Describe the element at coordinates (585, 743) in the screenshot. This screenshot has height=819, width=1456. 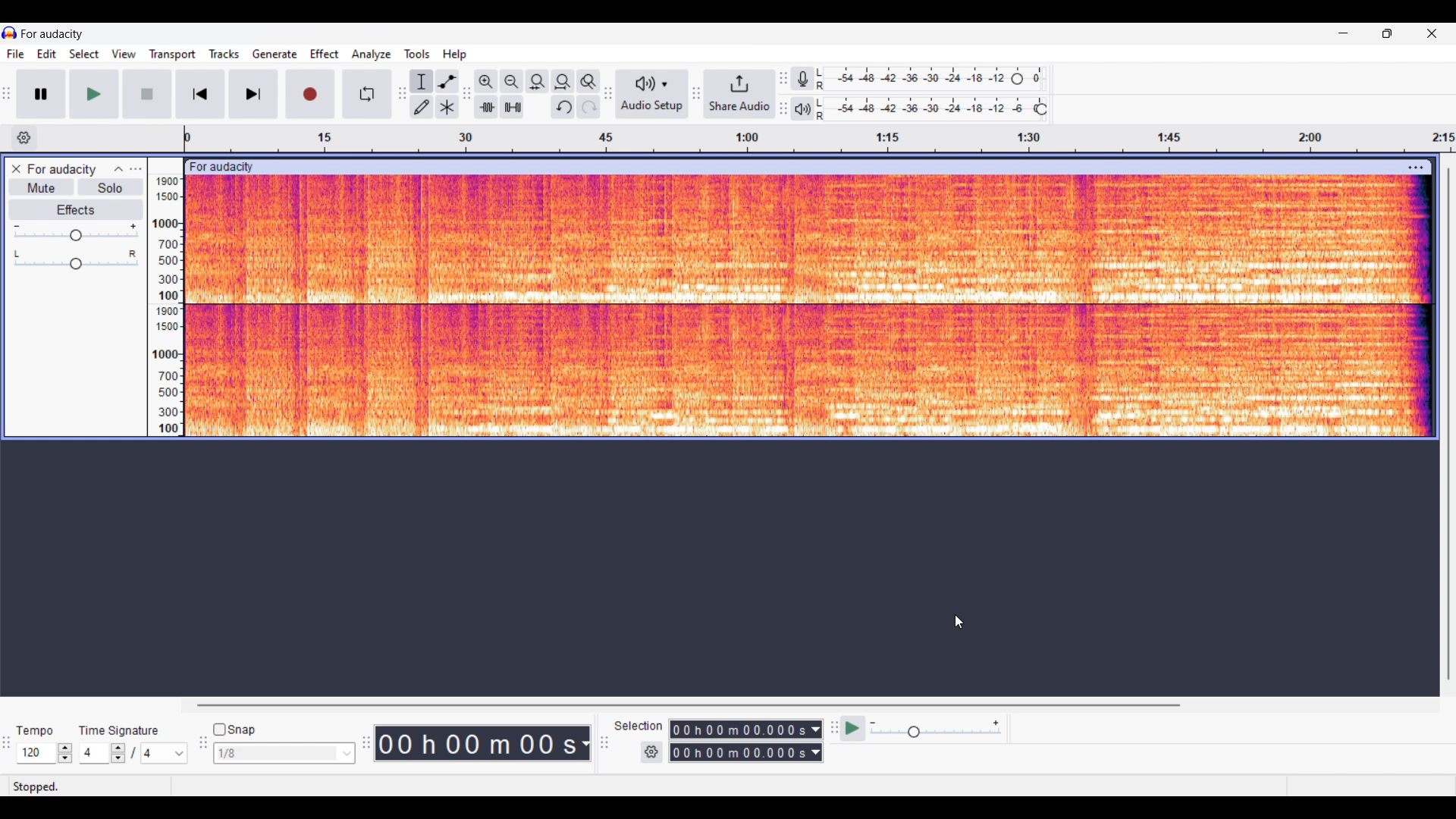
I see `Duration measurement options` at that location.